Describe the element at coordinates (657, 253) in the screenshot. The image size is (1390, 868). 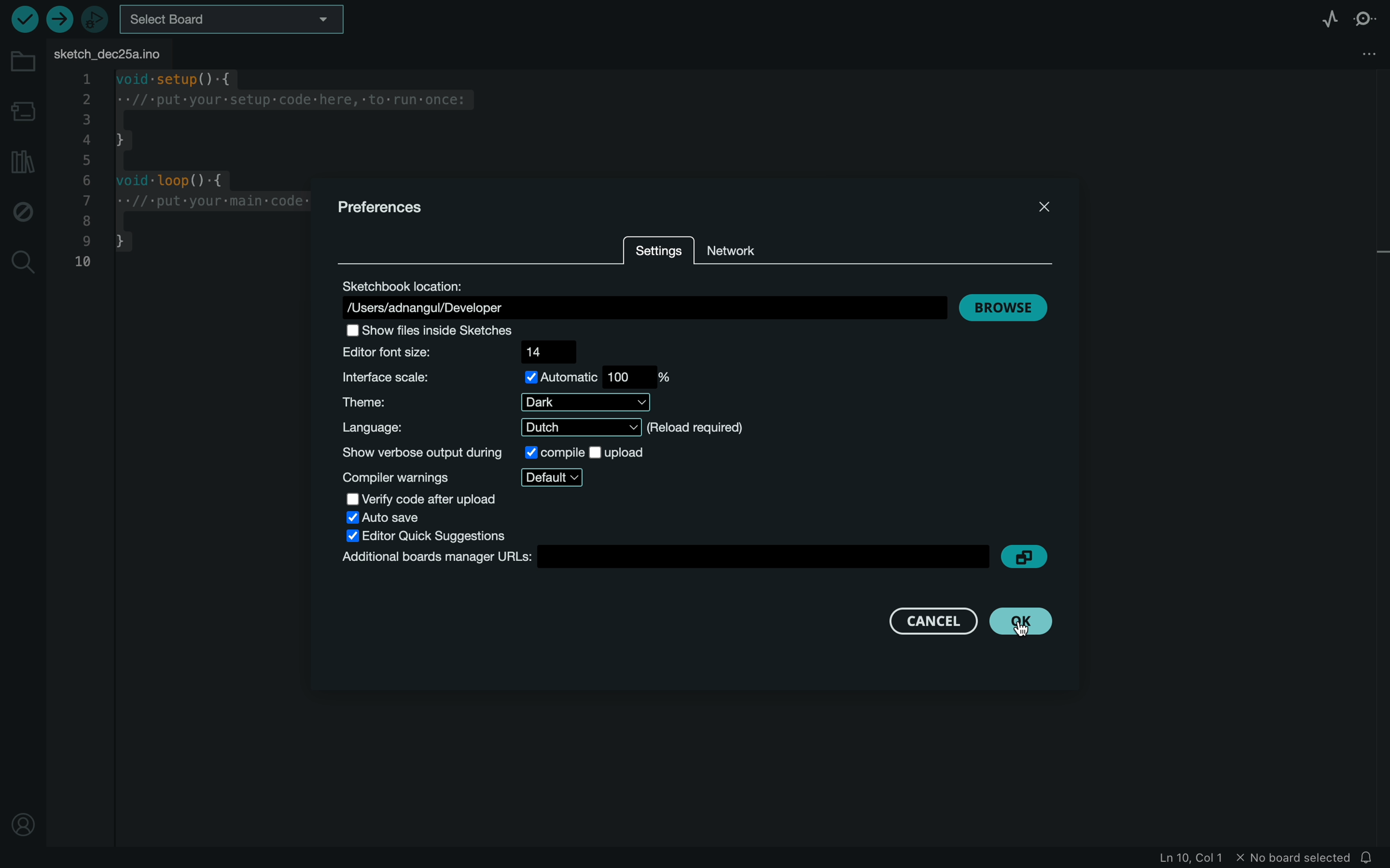
I see `settings` at that location.